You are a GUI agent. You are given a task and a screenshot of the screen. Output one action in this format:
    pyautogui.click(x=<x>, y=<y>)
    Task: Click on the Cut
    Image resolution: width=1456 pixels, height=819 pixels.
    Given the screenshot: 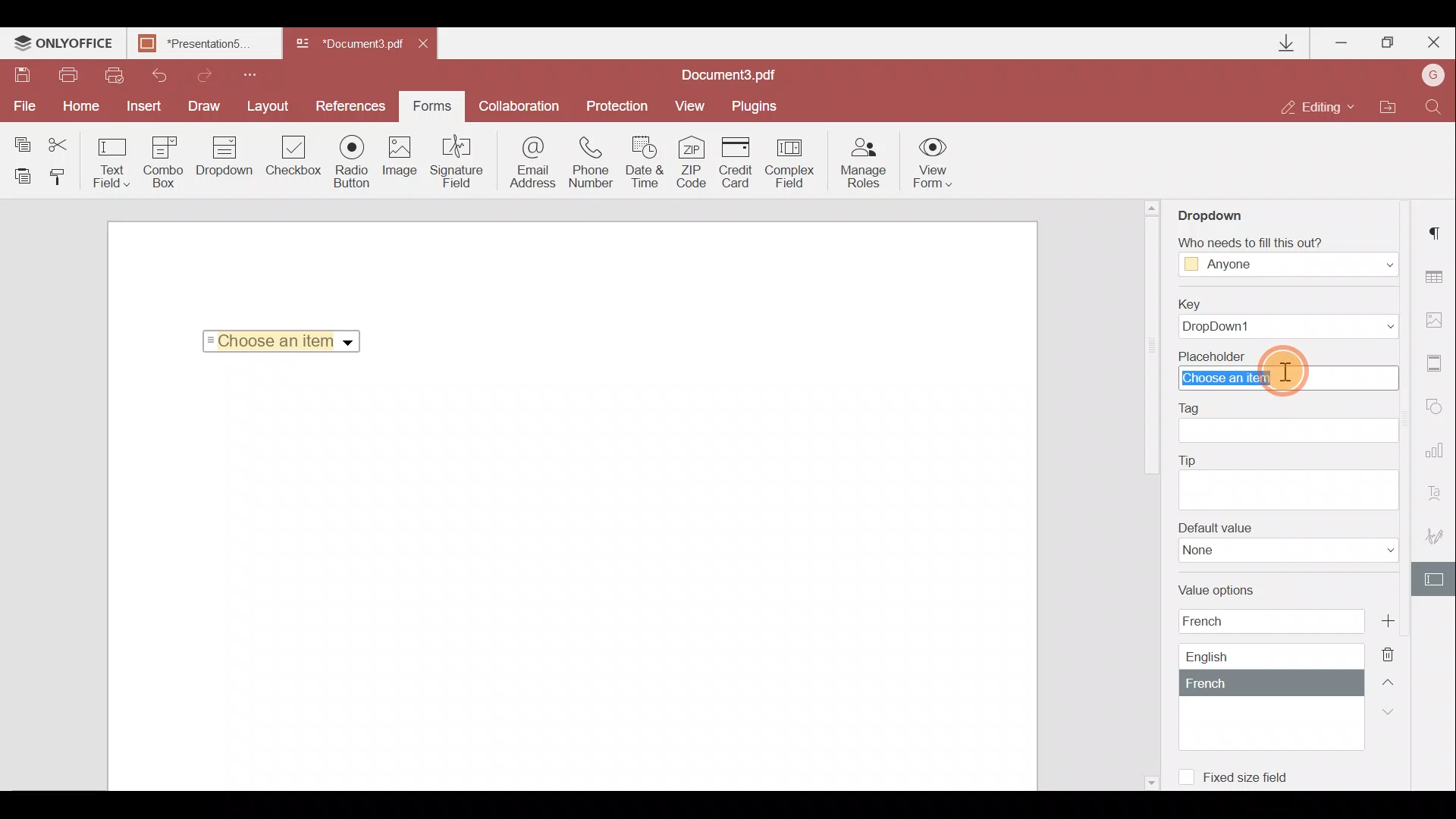 What is the action you would take?
    pyautogui.click(x=67, y=142)
    